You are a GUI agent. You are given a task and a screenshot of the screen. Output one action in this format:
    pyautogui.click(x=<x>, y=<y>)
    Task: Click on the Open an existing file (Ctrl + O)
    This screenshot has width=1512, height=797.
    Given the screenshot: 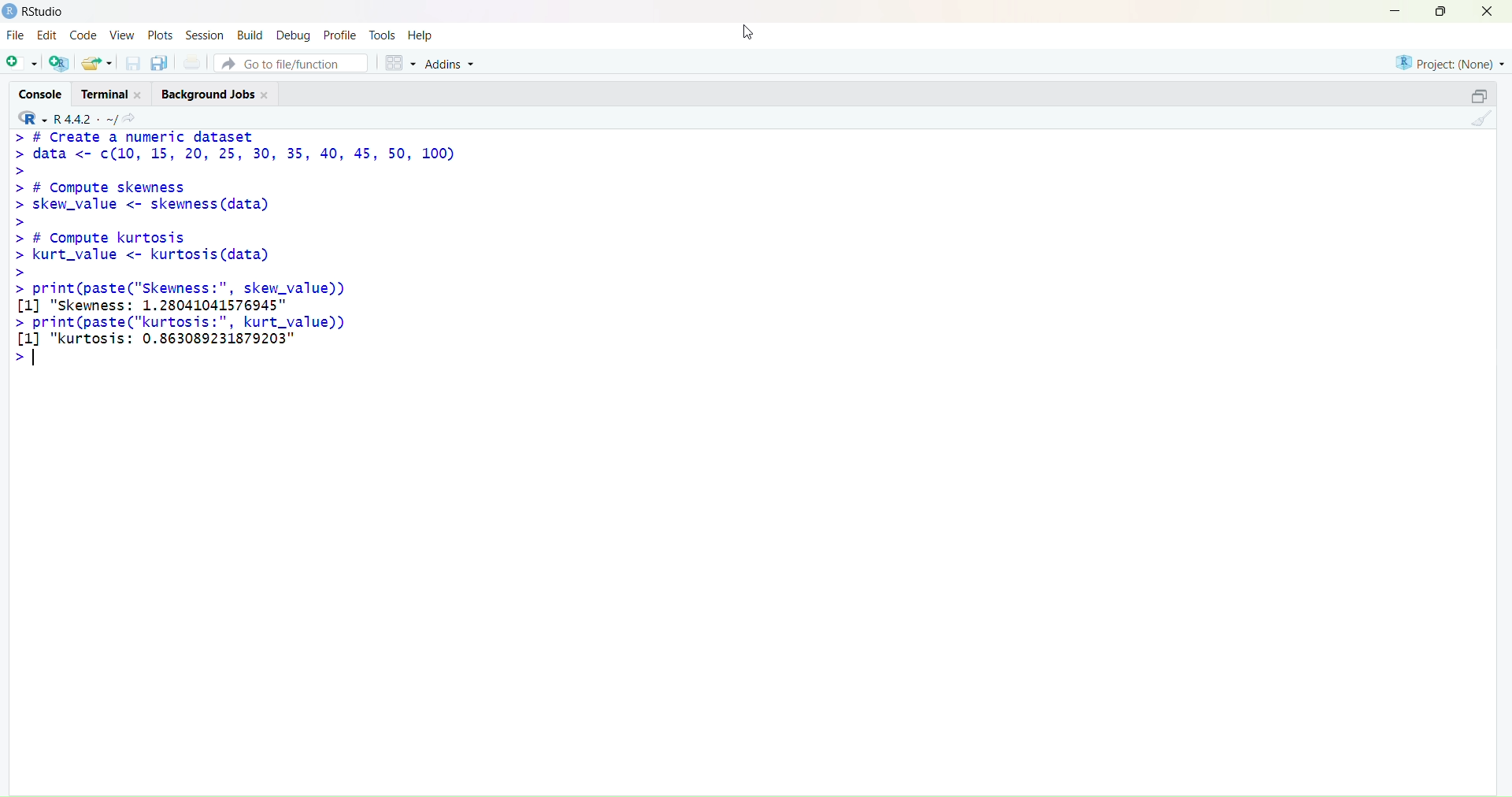 What is the action you would take?
    pyautogui.click(x=98, y=62)
    